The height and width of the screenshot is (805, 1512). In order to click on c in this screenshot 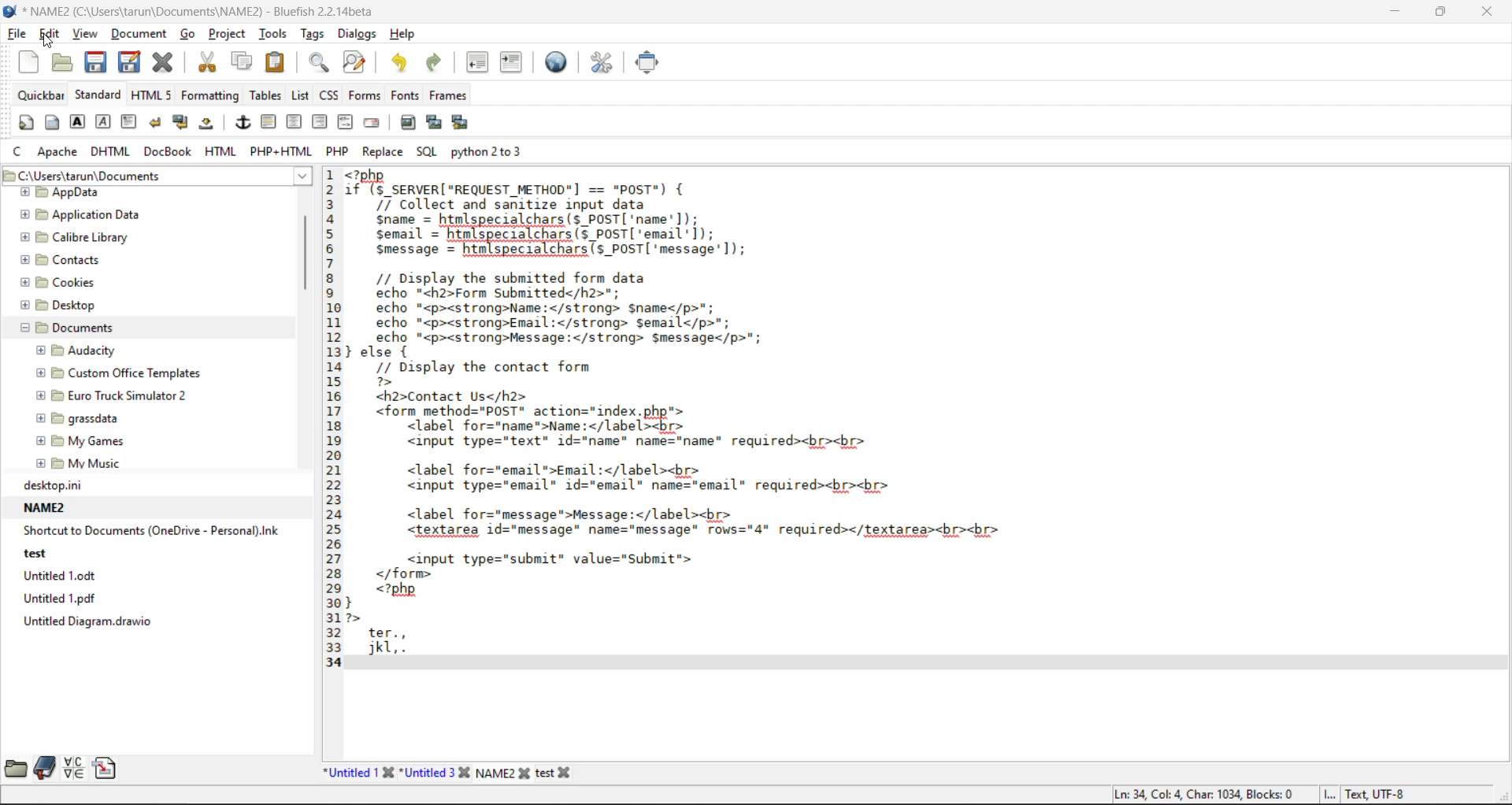, I will do `click(15, 154)`.